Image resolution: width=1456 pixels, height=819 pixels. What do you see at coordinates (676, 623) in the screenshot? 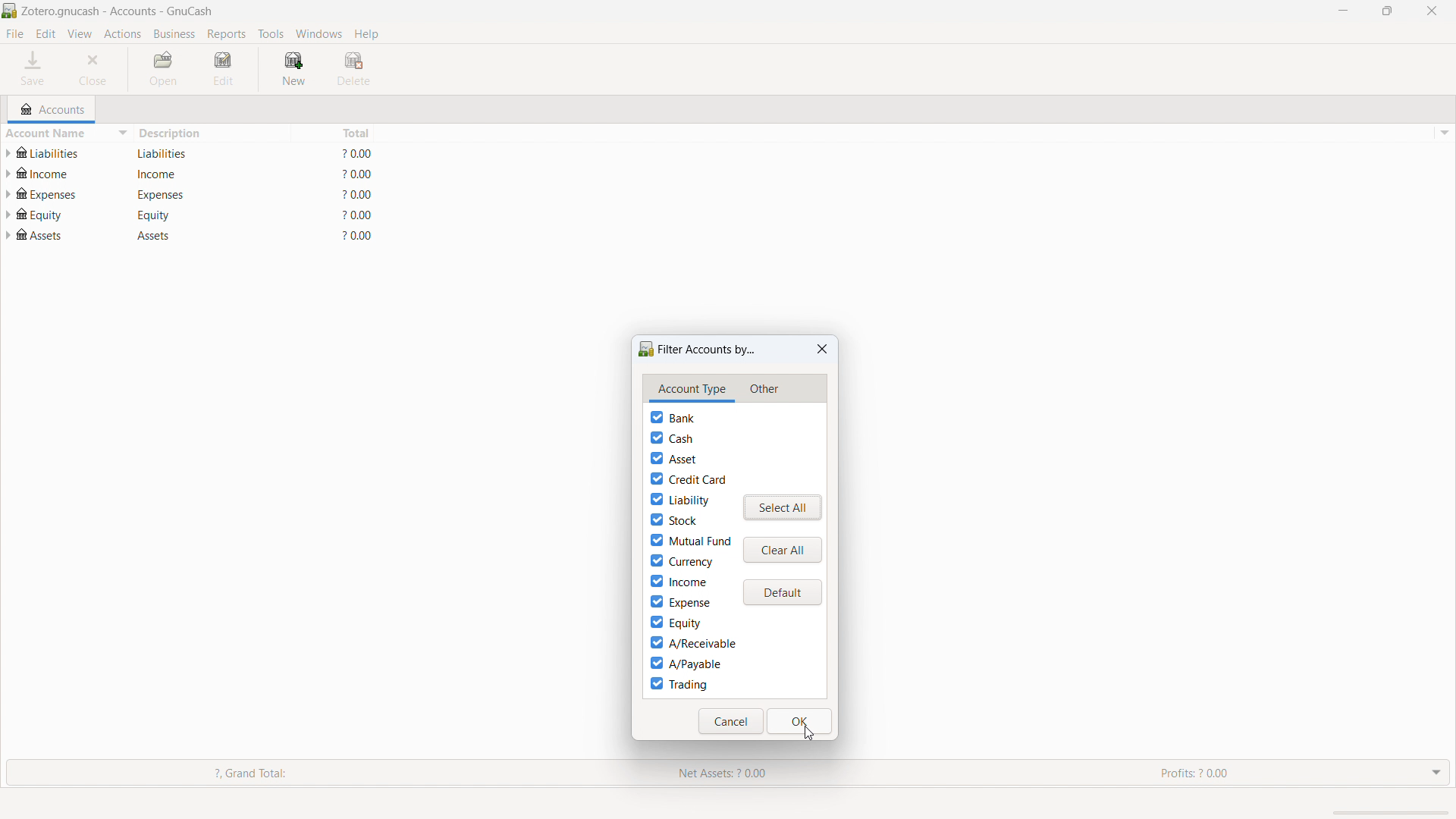
I see `equity` at bounding box center [676, 623].